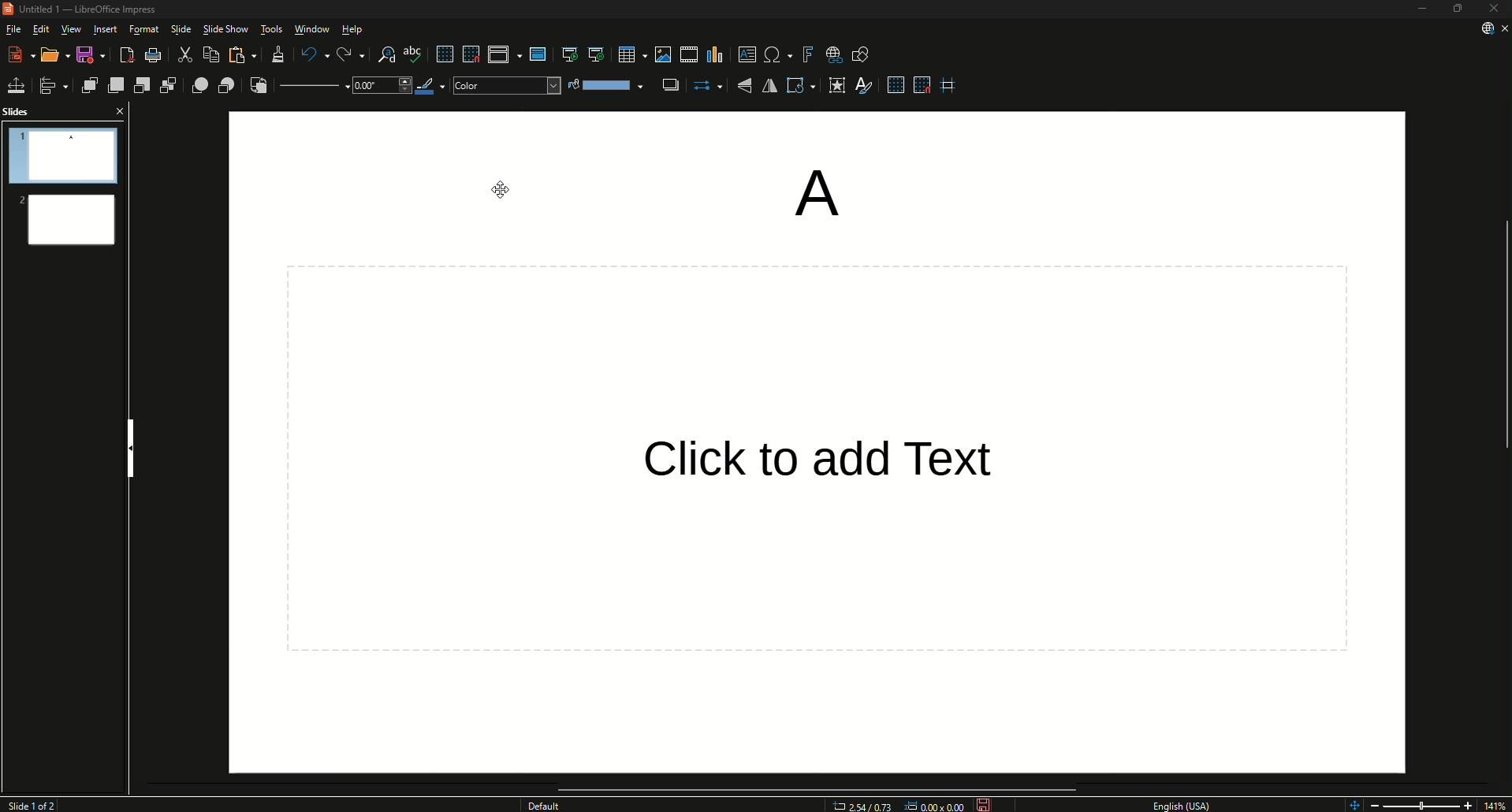 This screenshot has width=1512, height=812. What do you see at coordinates (107, 30) in the screenshot?
I see `Insert` at bounding box center [107, 30].